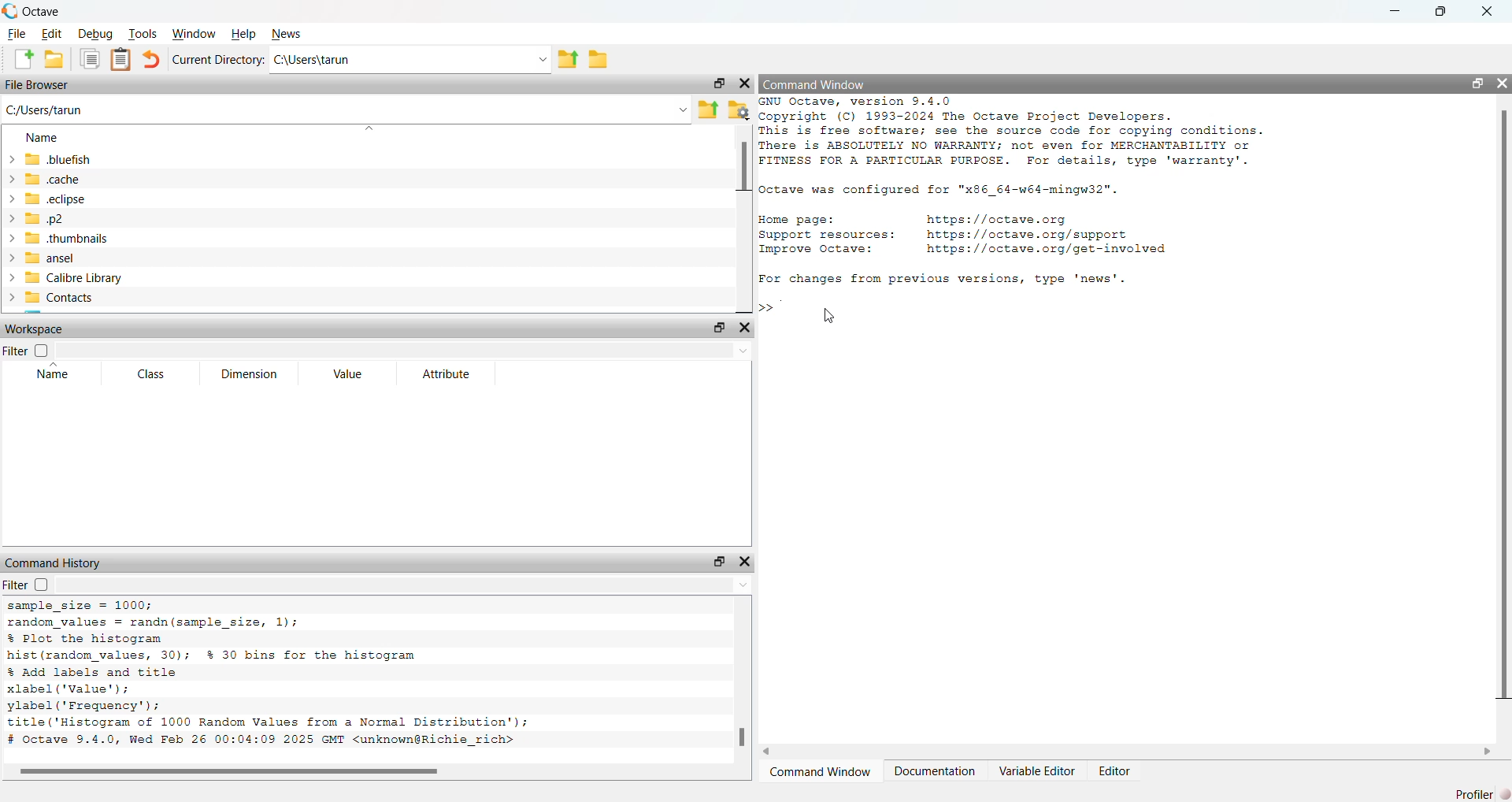  I want to click on Attribute, so click(447, 373).